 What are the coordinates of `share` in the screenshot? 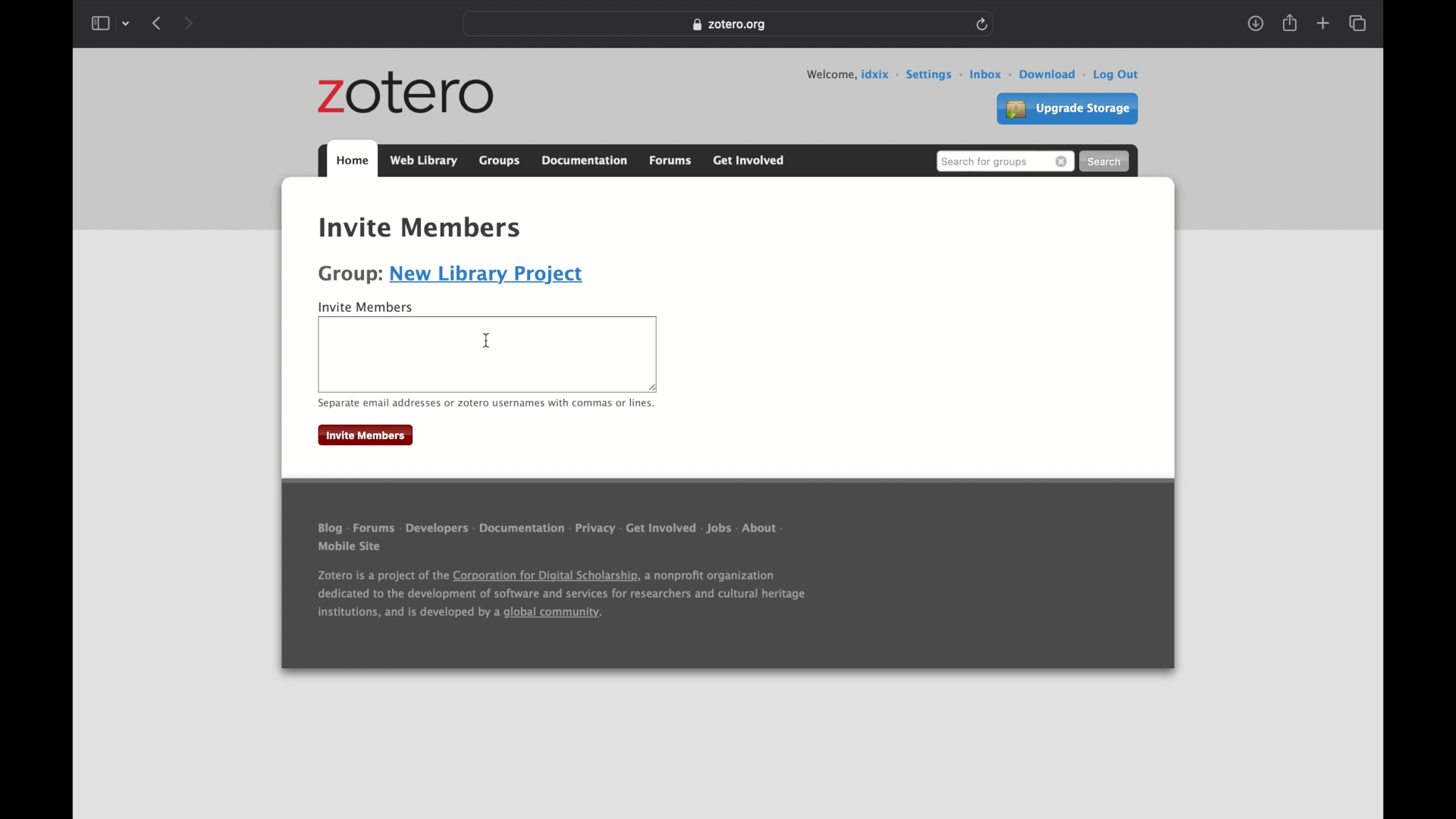 It's located at (1288, 23).